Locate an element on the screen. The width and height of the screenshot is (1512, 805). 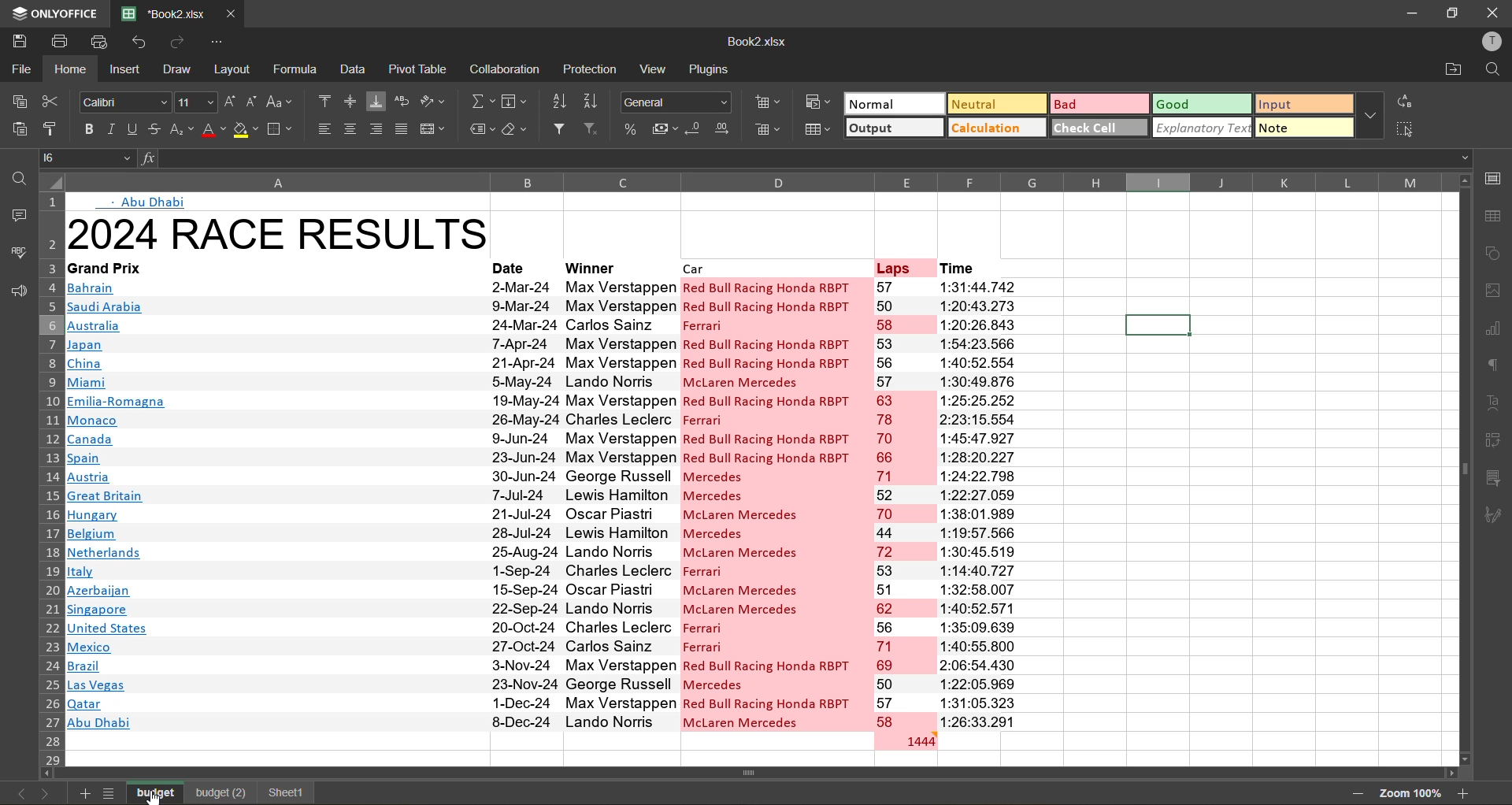
zoom in is located at coordinates (1464, 792).